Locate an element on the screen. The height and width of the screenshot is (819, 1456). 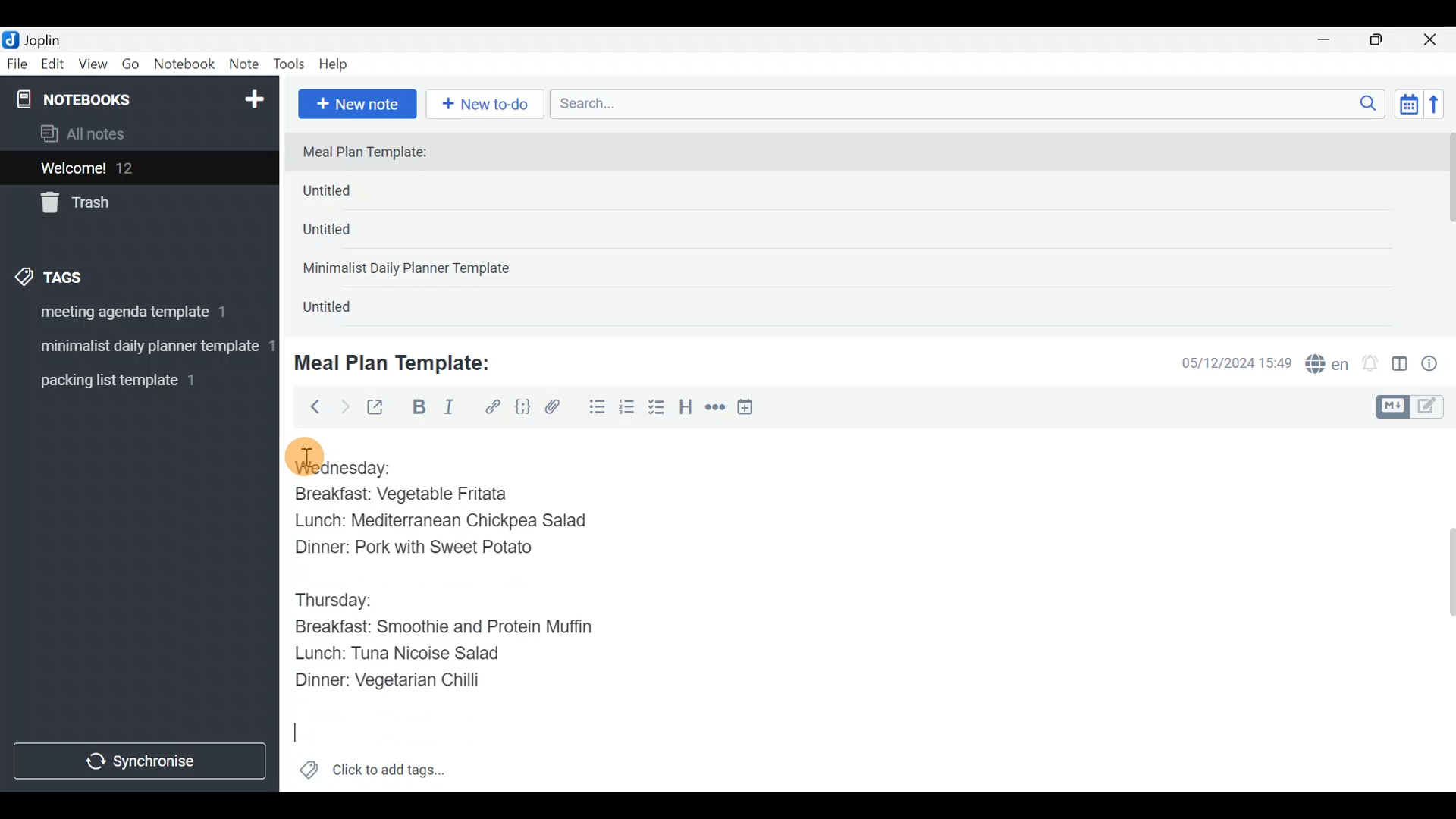
All notes is located at coordinates (136, 135).